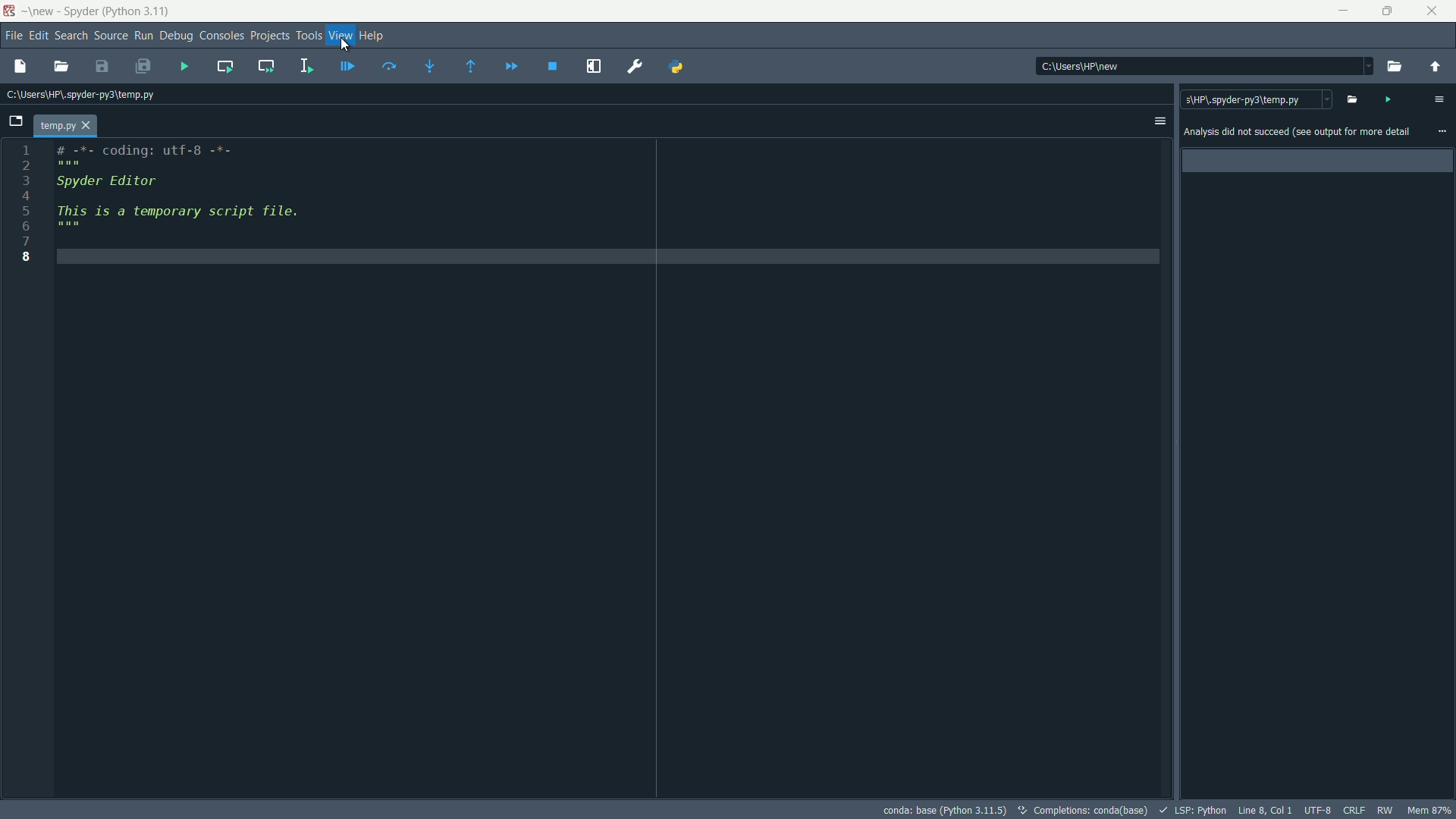  I want to click on memory usage, so click(1430, 810).